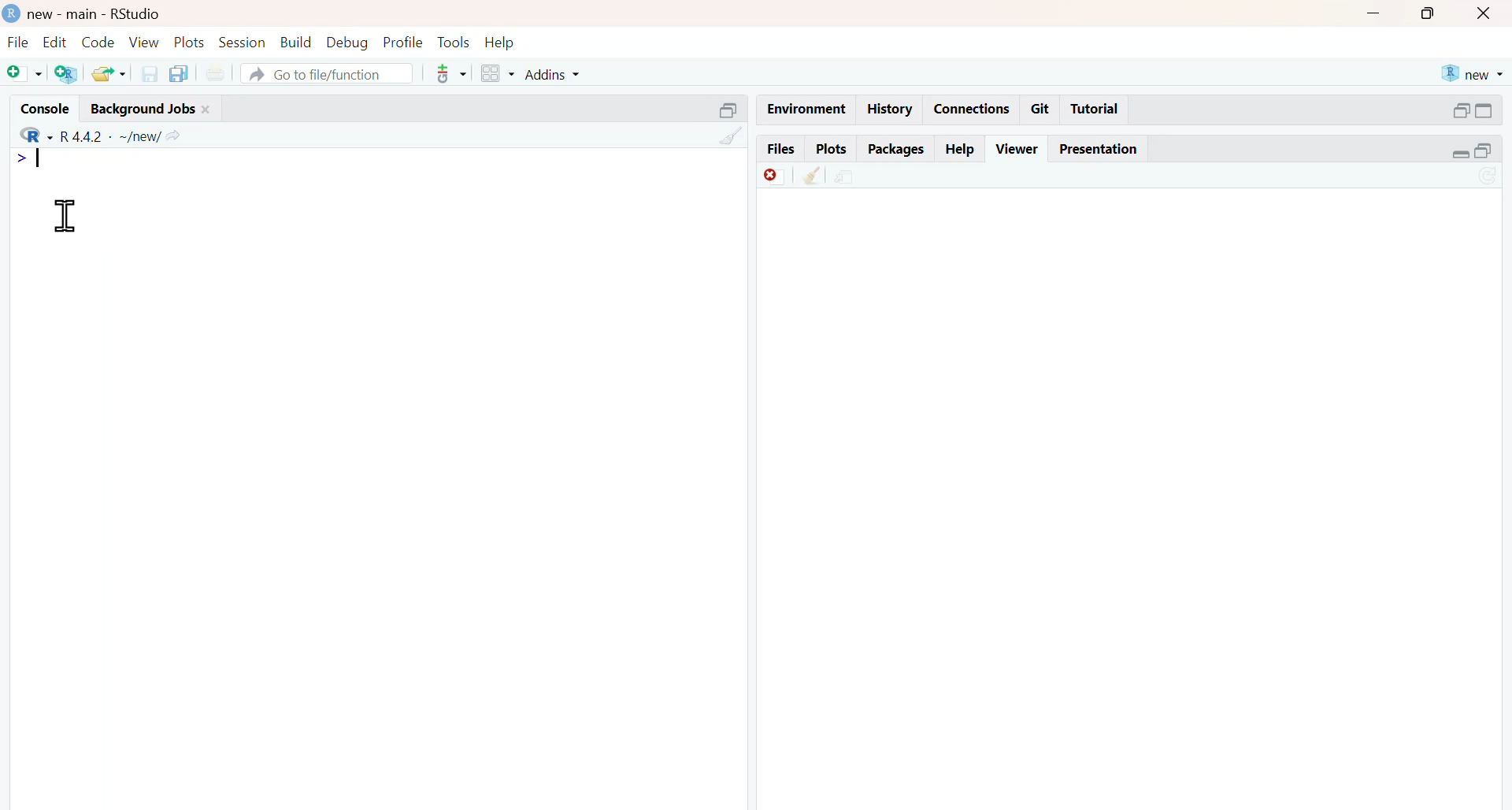 Image resolution: width=1512 pixels, height=810 pixels. Describe the element at coordinates (189, 43) in the screenshot. I see `plots` at that location.